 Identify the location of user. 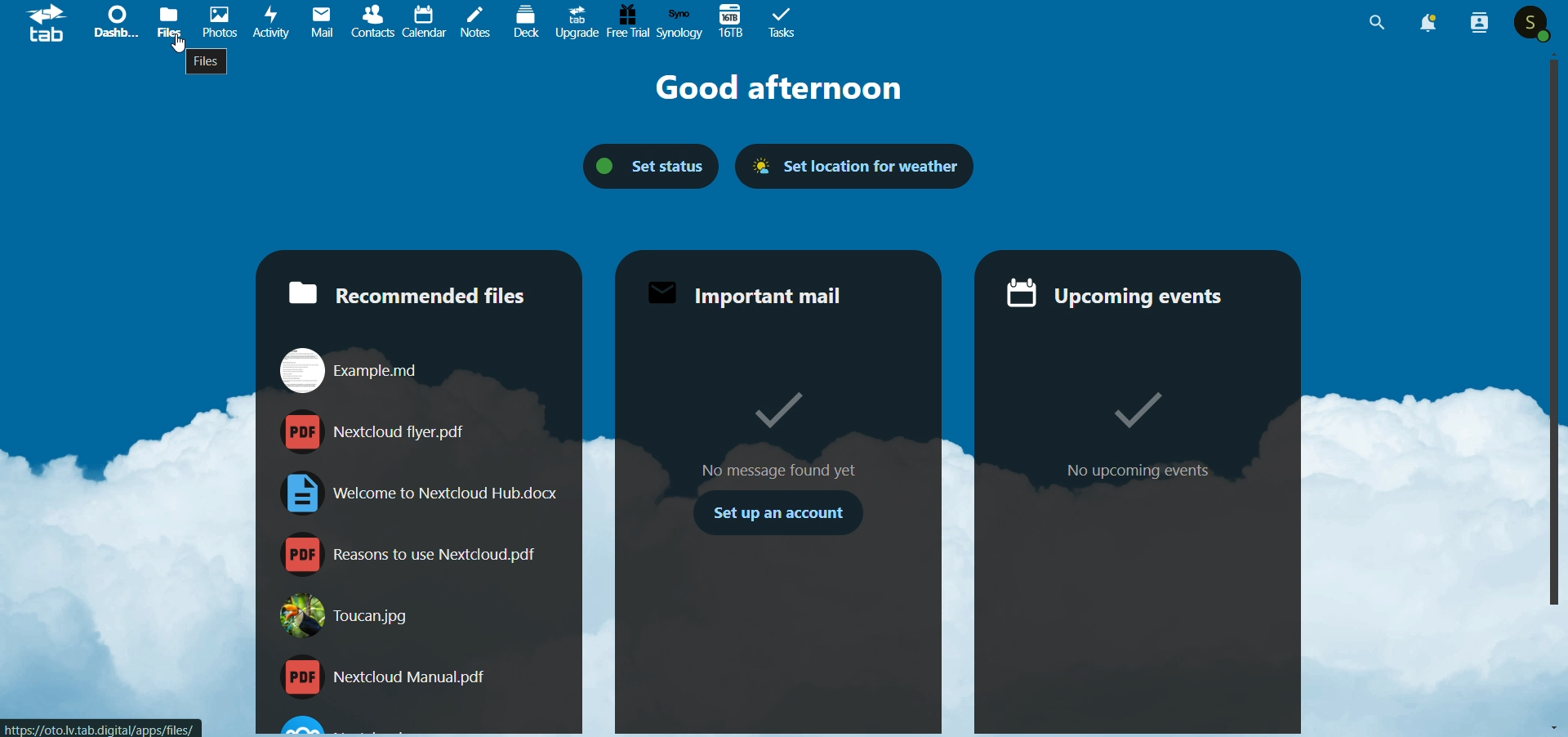
(1534, 25).